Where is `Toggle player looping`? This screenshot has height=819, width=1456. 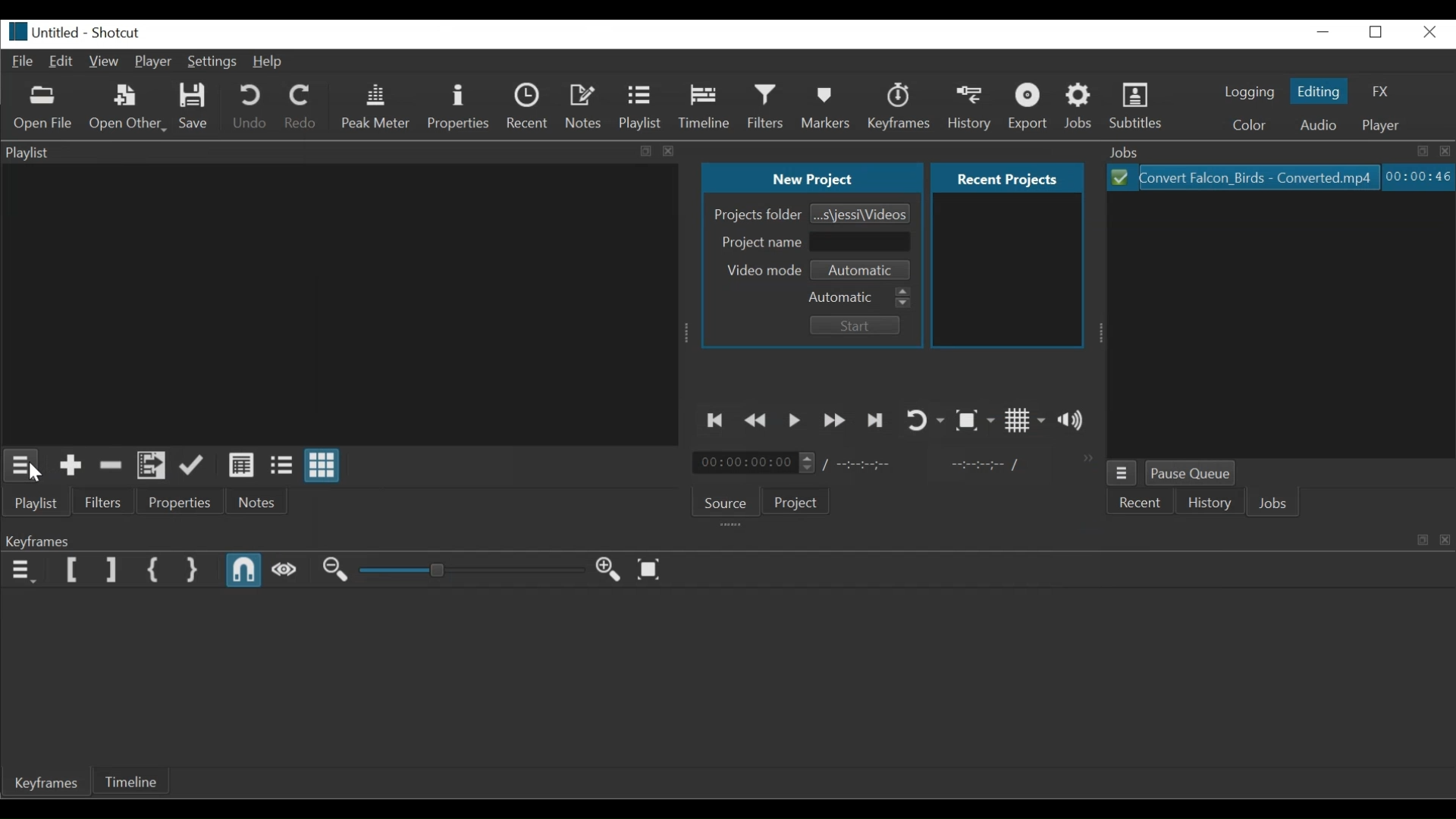 Toggle player looping is located at coordinates (924, 419).